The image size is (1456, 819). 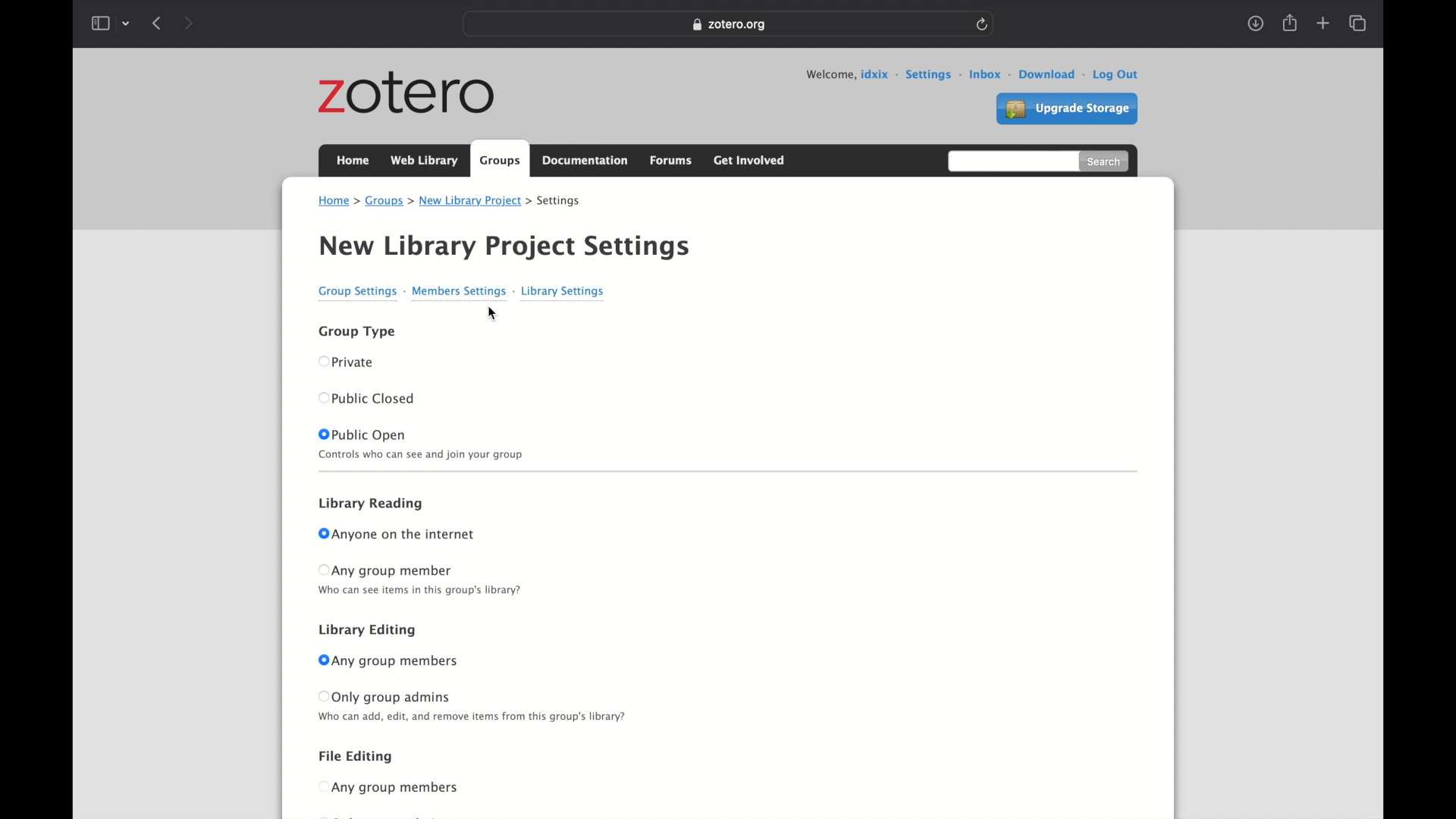 What do you see at coordinates (726, 471) in the screenshot?
I see `line dividing sections` at bounding box center [726, 471].